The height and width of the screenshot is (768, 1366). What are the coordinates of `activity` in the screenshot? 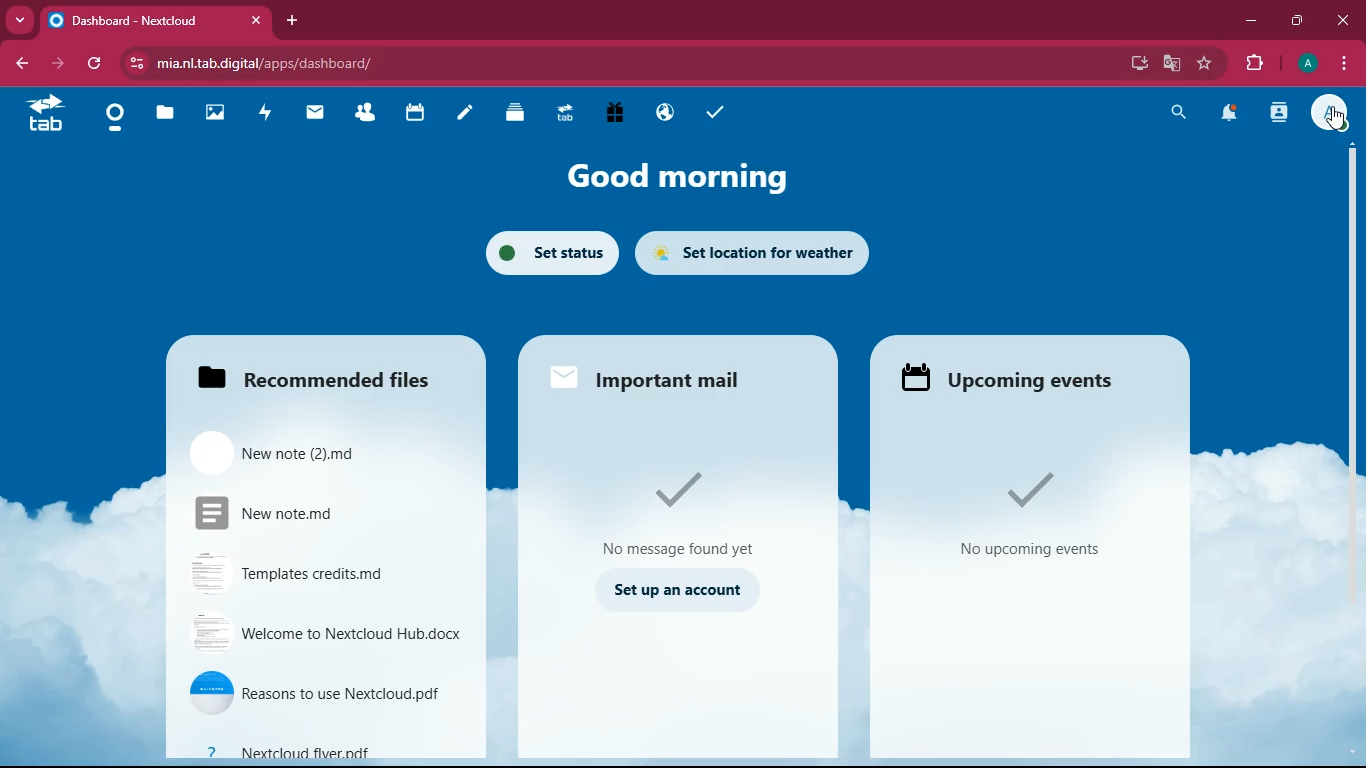 It's located at (1280, 115).